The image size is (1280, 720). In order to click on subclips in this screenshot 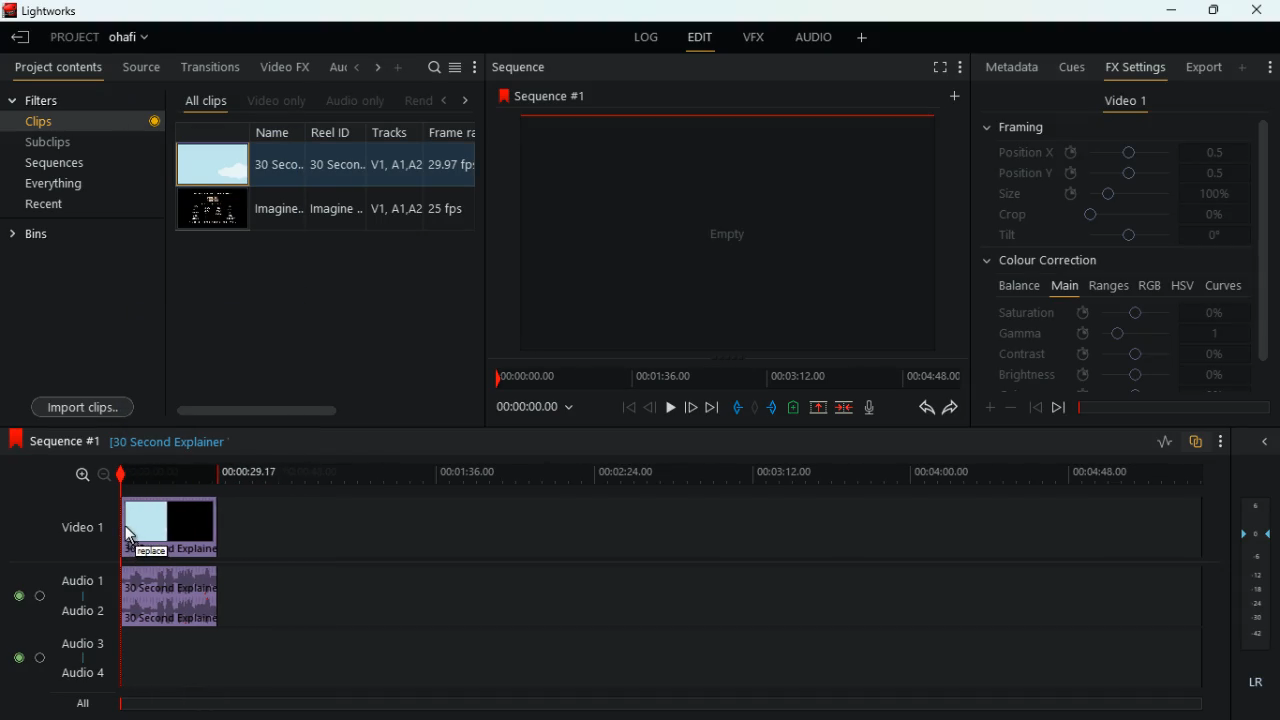, I will do `click(83, 141)`.